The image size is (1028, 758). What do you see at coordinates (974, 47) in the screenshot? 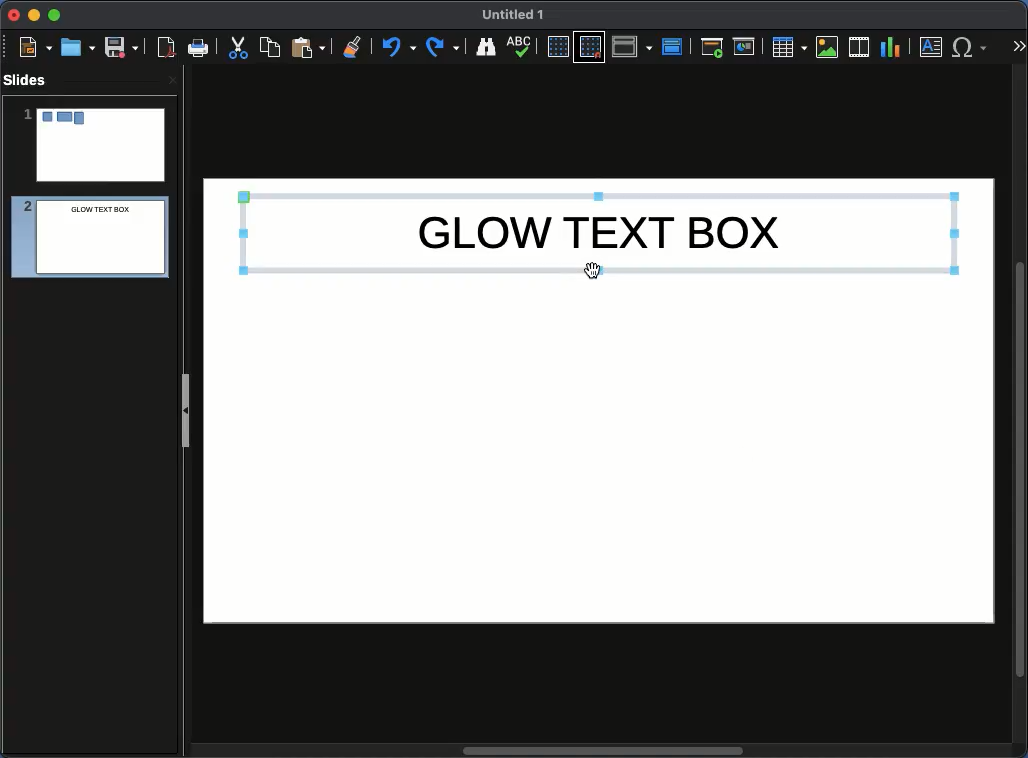
I see `Special characters` at bounding box center [974, 47].